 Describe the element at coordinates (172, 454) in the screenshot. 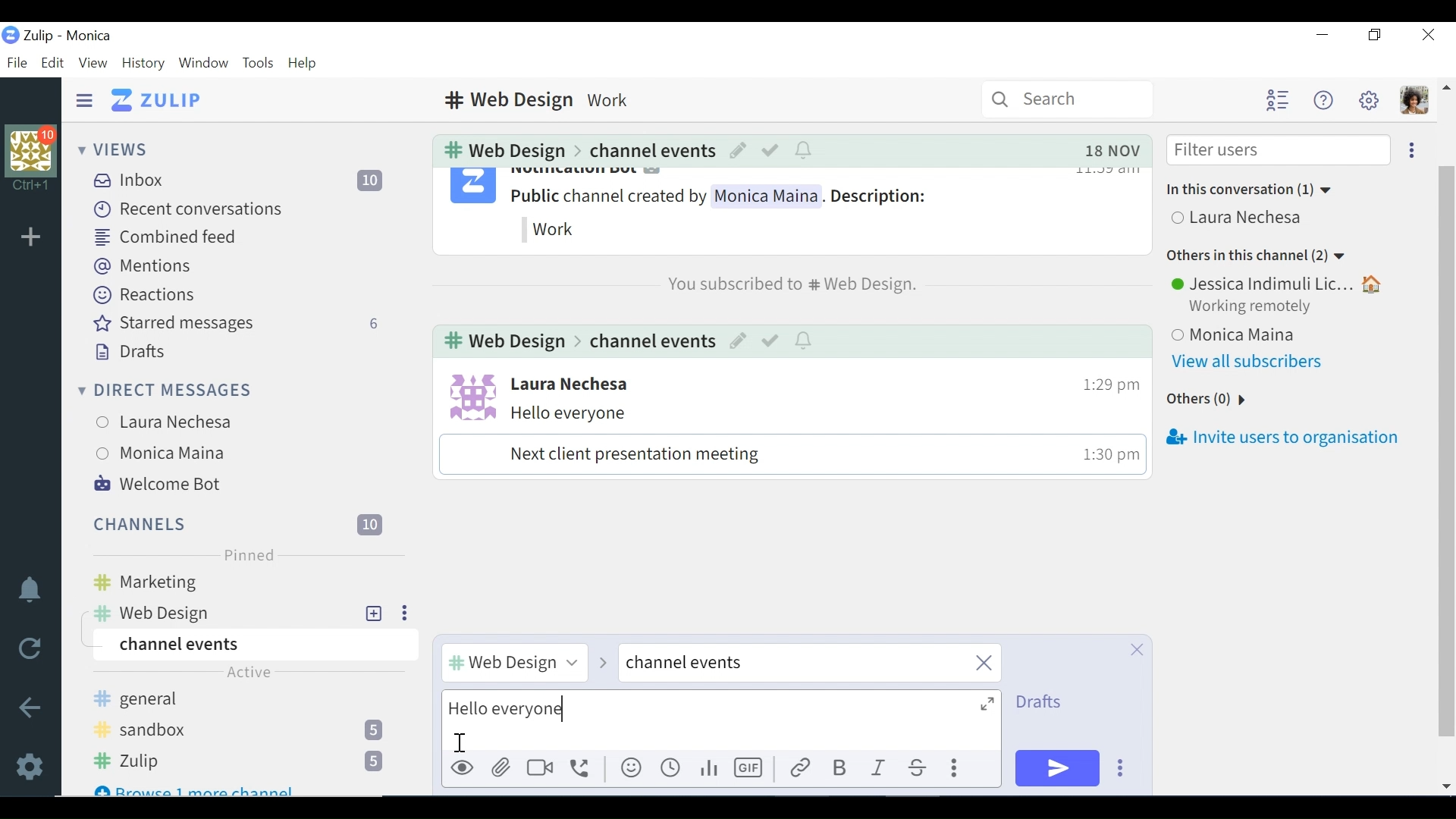

I see `User` at that location.